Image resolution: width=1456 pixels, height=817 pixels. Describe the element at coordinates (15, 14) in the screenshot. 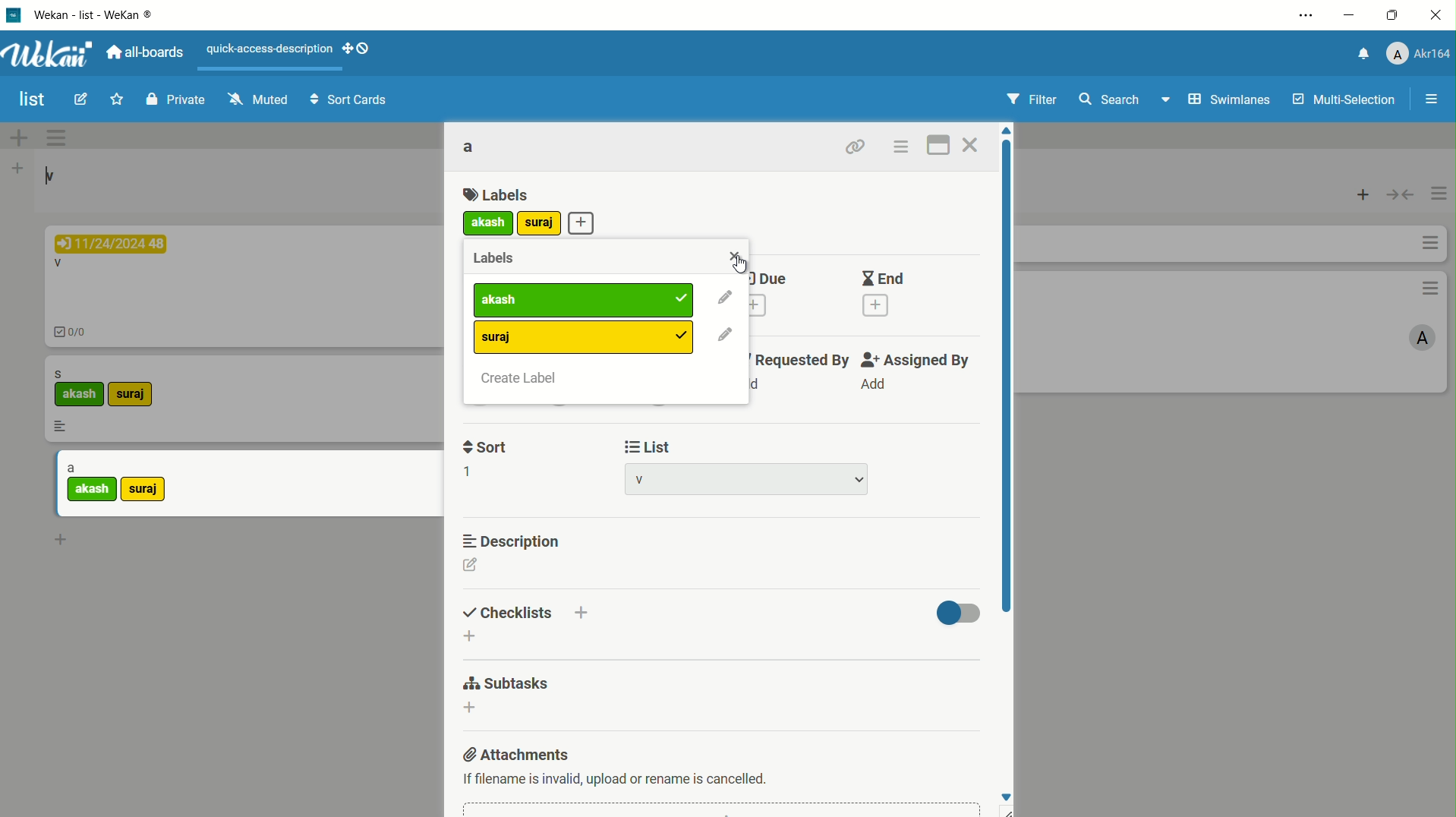

I see `app icon` at that location.